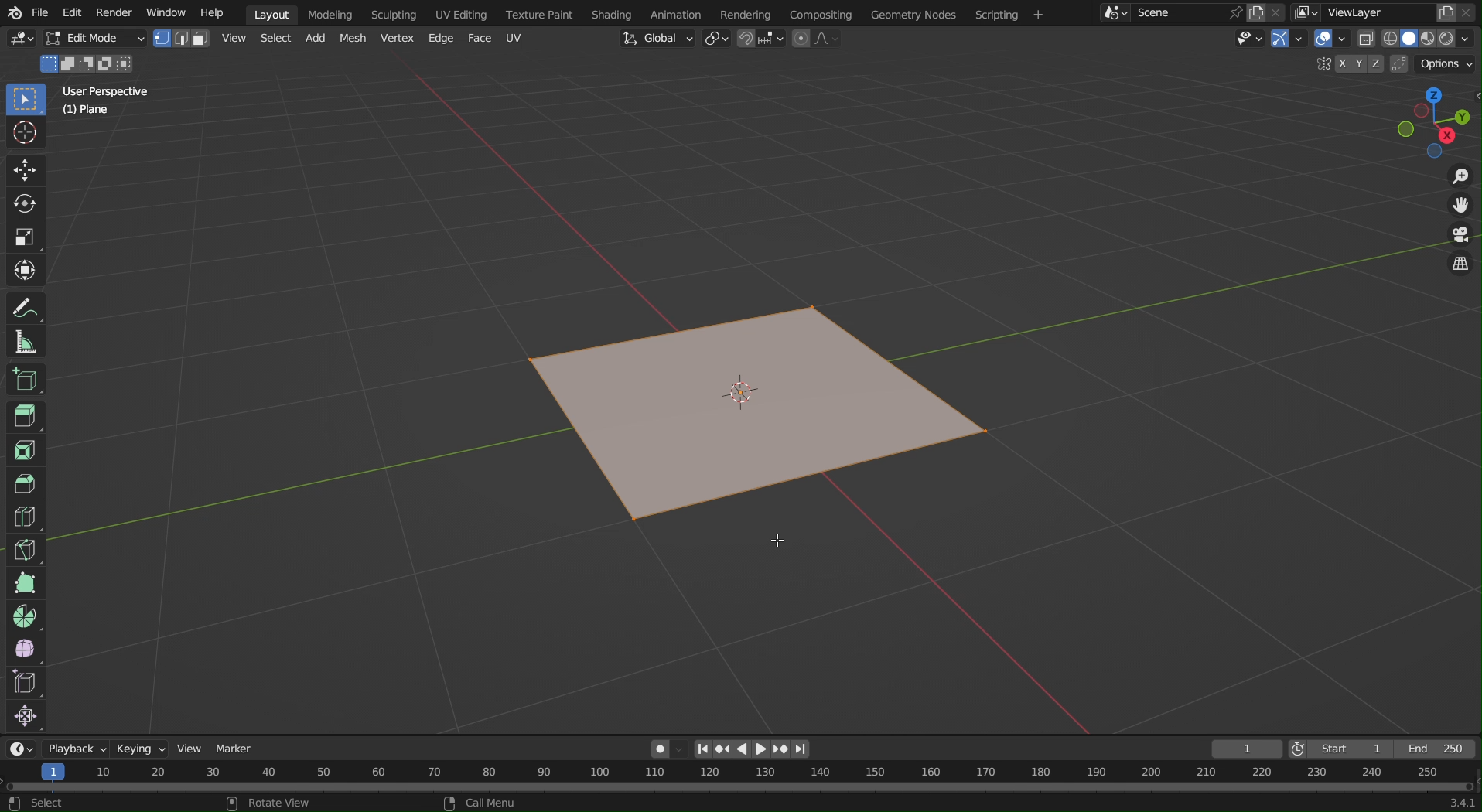  Describe the element at coordinates (24, 583) in the screenshot. I see `Poly Build` at that location.